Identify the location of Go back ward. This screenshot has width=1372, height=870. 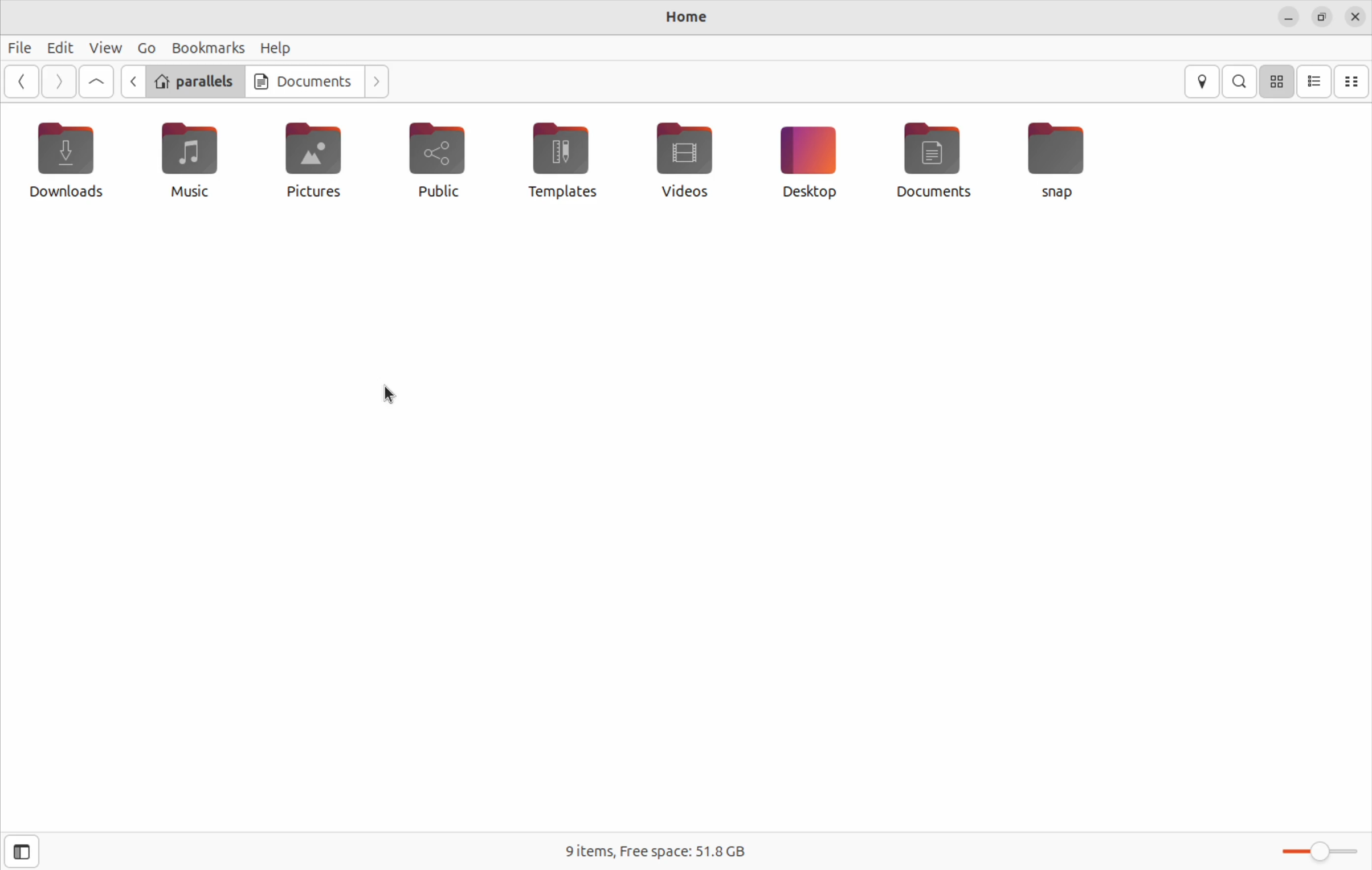
(23, 81).